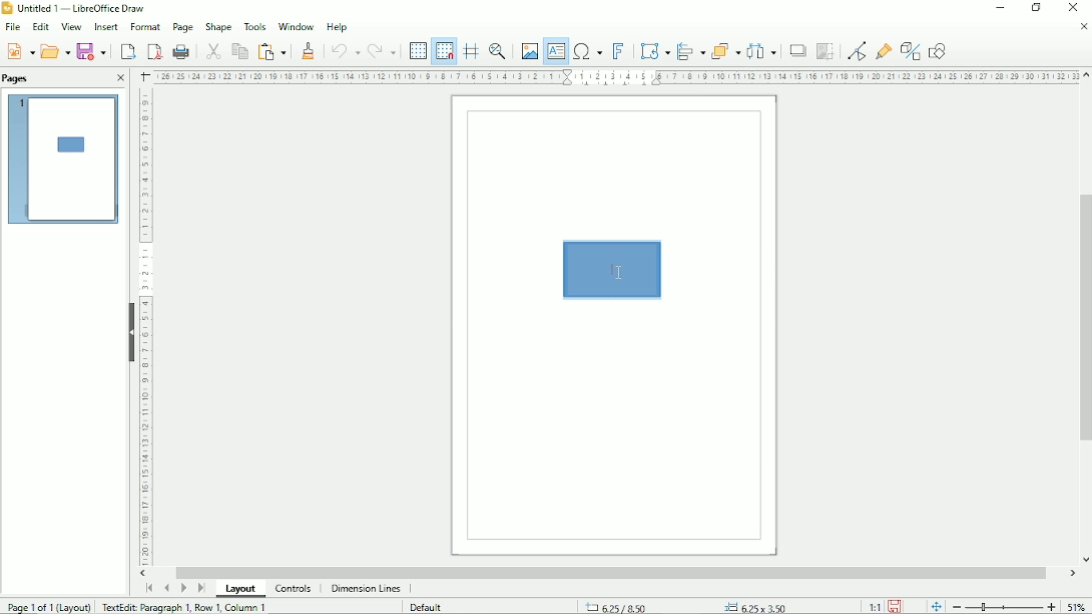  Describe the element at coordinates (366, 588) in the screenshot. I see `Dimension lines` at that location.